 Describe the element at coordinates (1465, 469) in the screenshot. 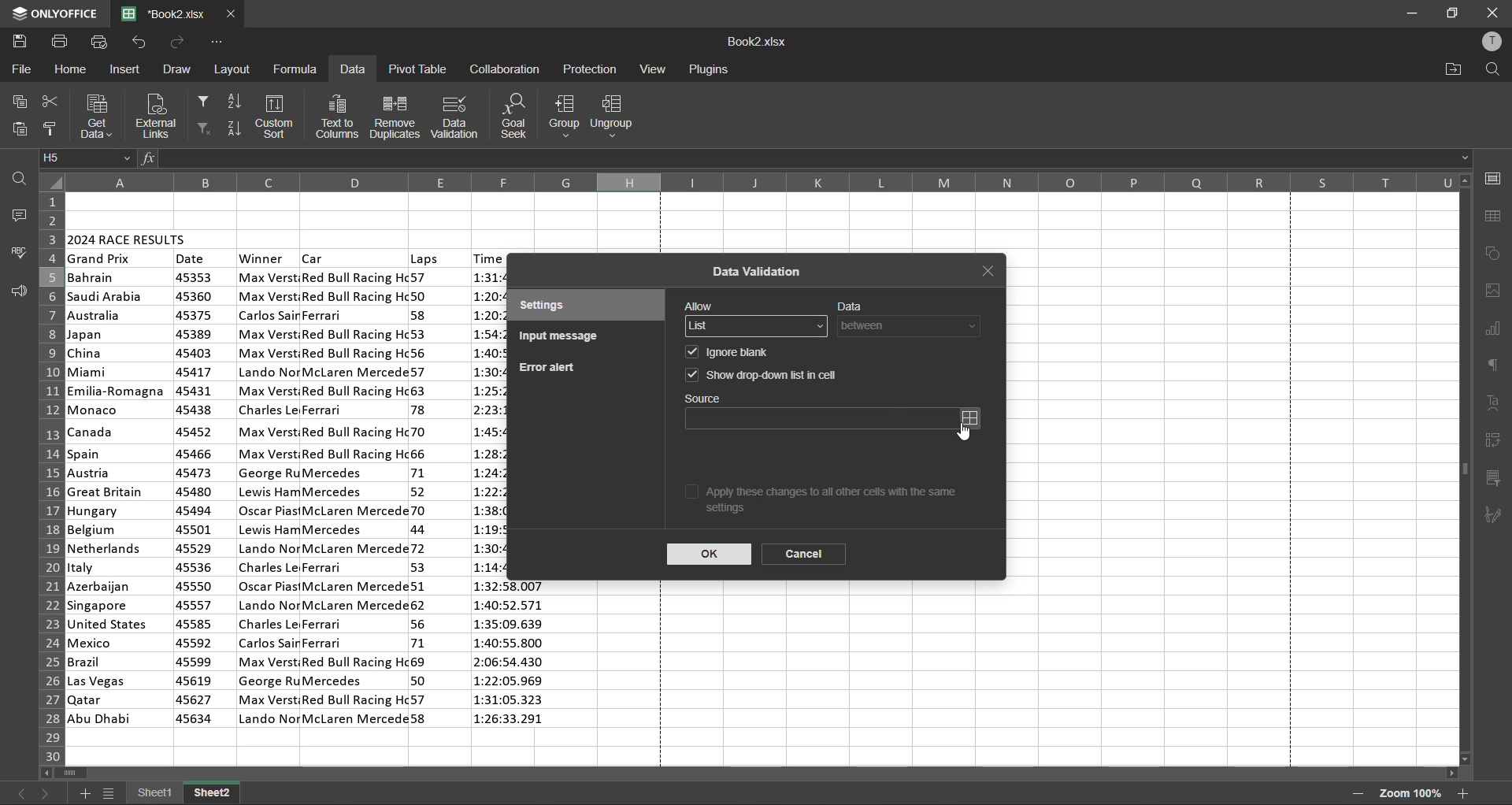

I see `scrollbar` at that location.